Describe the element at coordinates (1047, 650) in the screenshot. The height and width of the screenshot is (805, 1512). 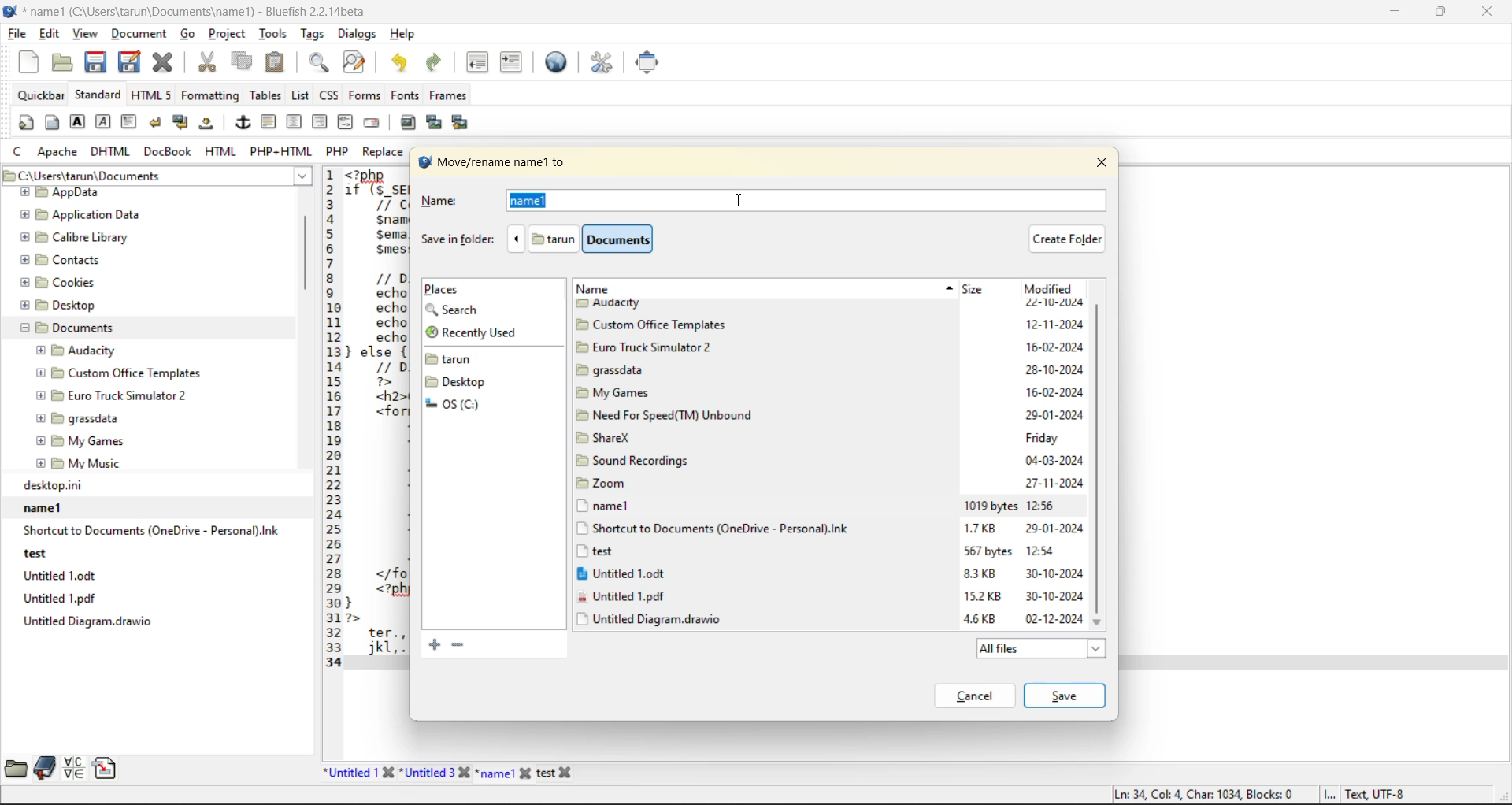
I see `all files` at that location.